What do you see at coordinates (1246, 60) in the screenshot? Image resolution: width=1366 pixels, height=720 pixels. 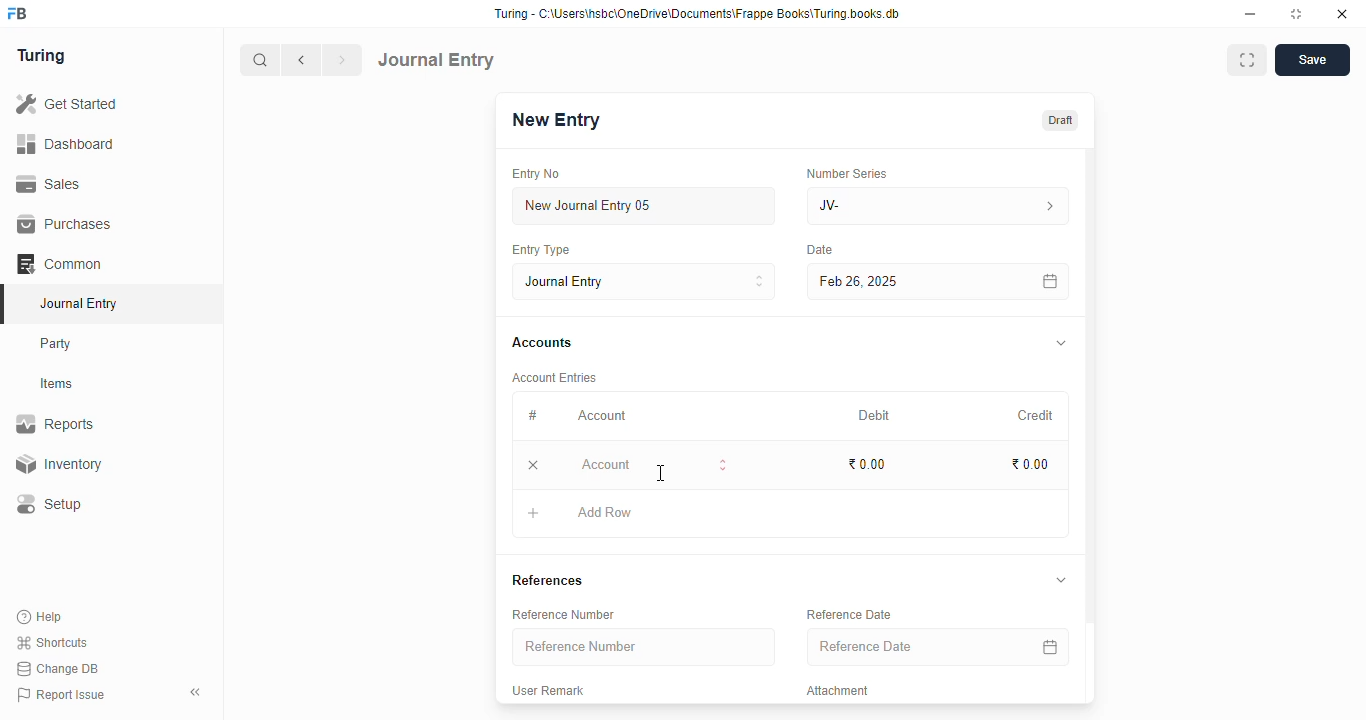 I see `toggle between form and full width` at bounding box center [1246, 60].